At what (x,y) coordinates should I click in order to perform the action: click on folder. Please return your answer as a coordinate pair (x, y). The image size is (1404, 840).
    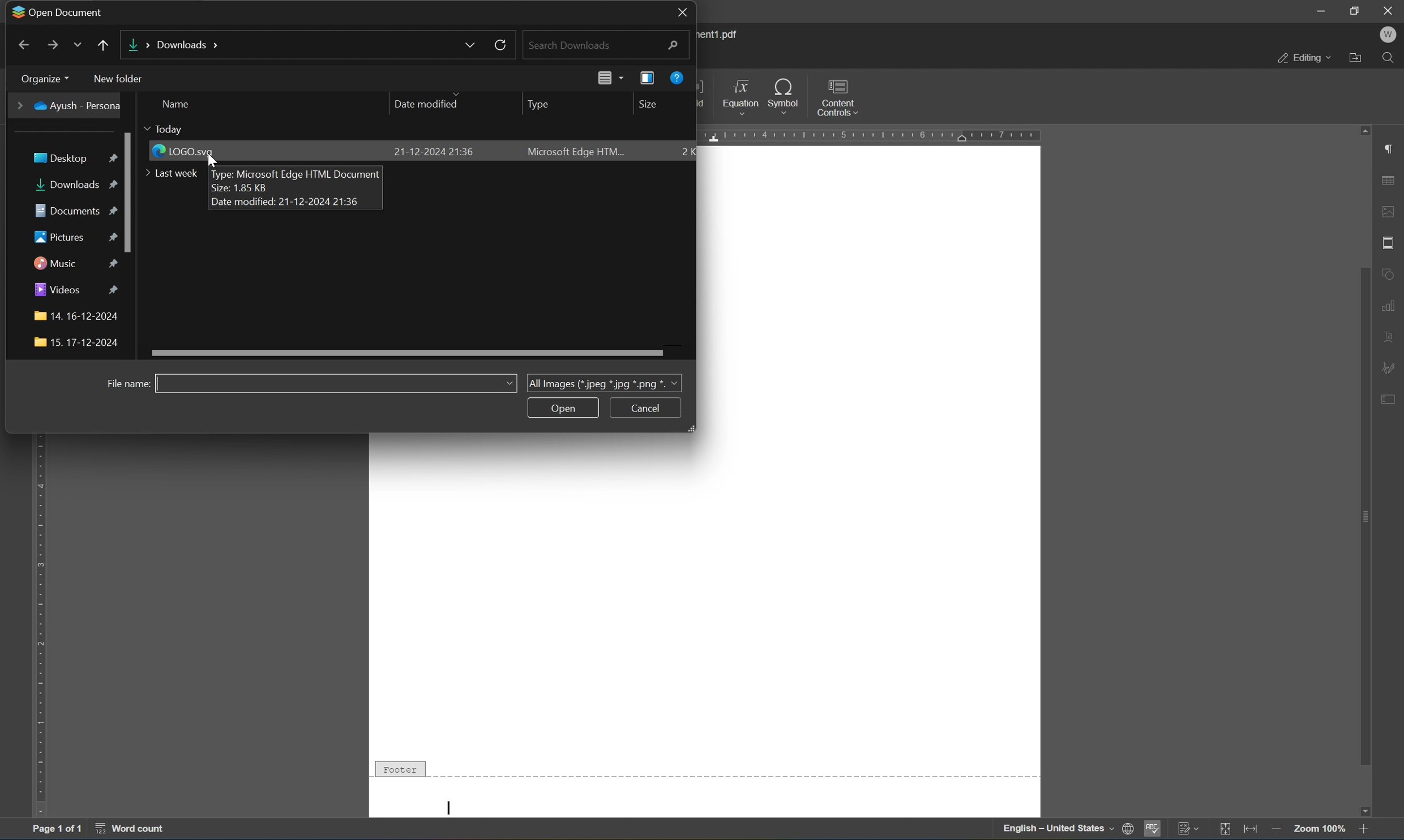
    Looking at the image, I should click on (76, 341).